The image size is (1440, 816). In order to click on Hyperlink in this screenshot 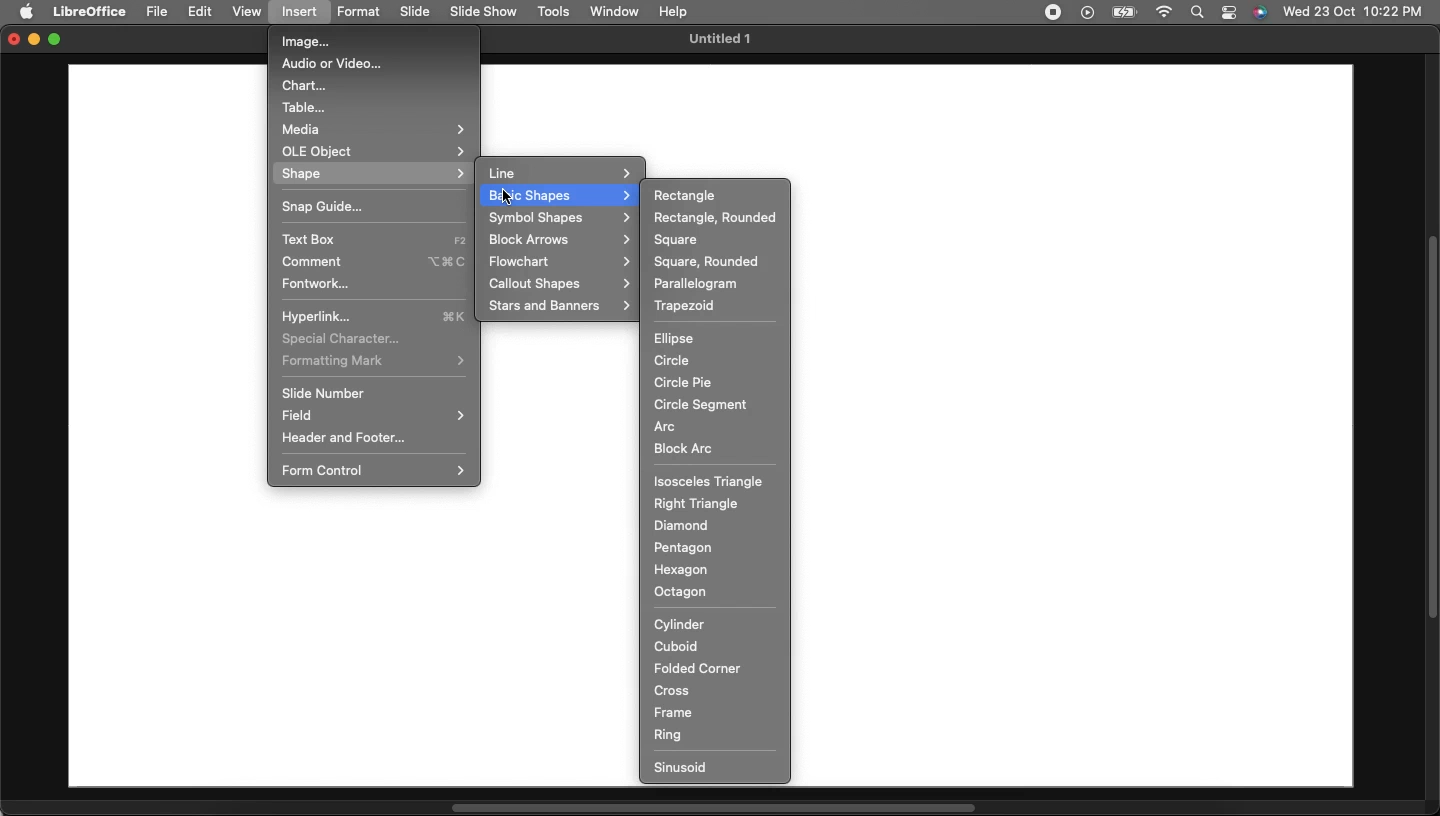, I will do `click(373, 317)`.